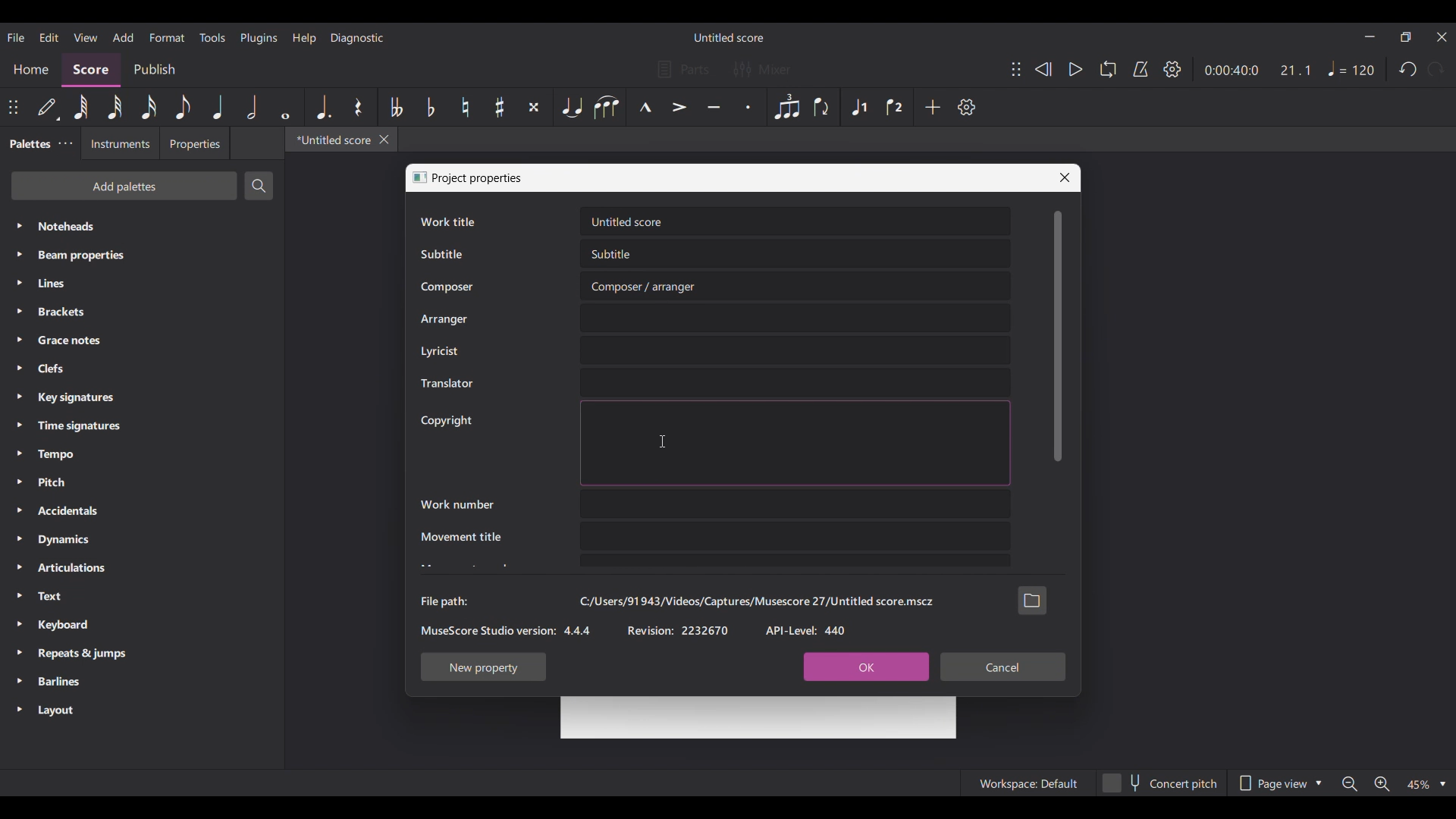 This screenshot has height=819, width=1456. Describe the element at coordinates (1003, 667) in the screenshot. I see `Cancel` at that location.